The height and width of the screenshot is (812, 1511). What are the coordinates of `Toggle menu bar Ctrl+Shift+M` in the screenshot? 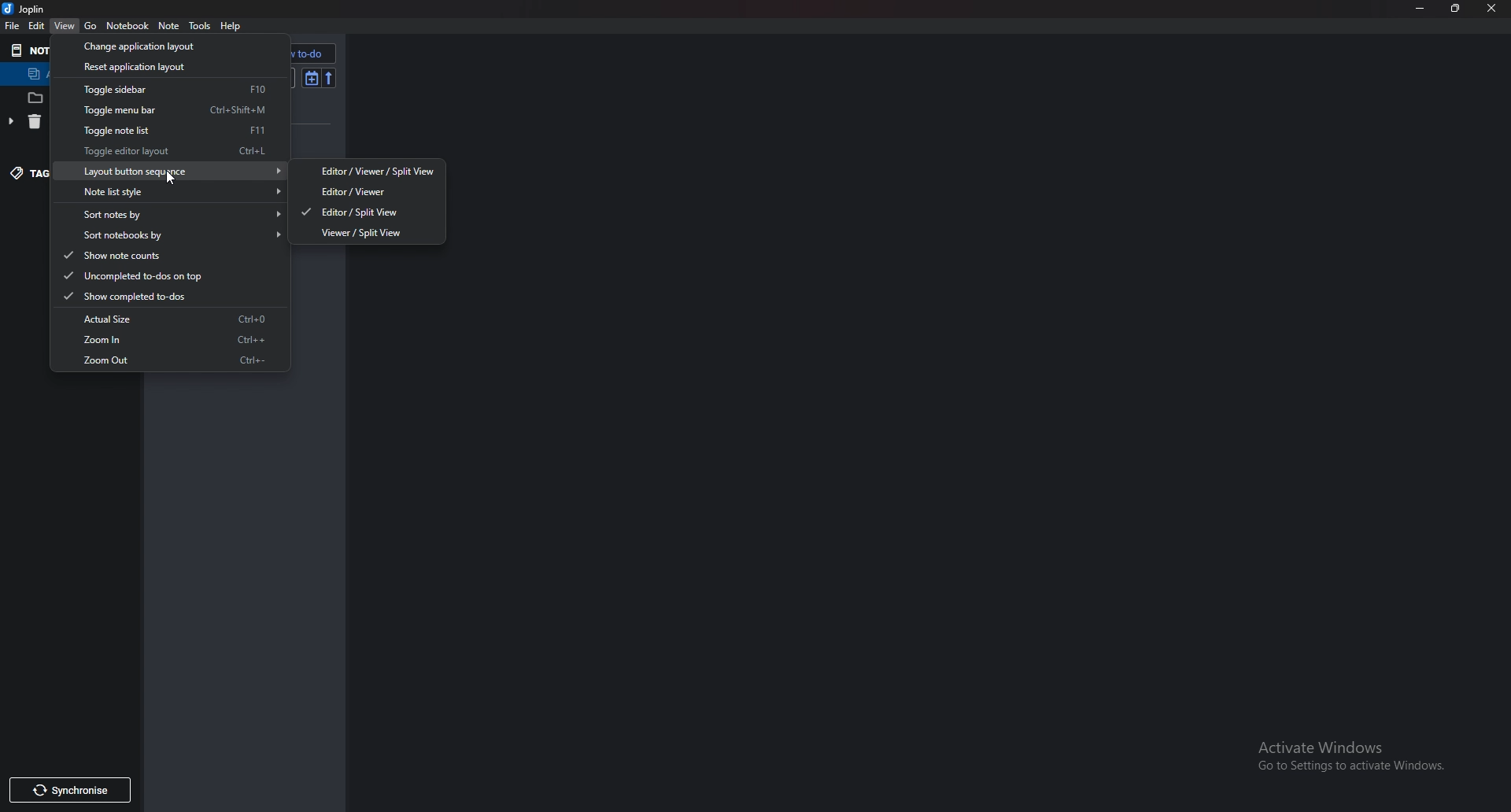 It's located at (168, 112).